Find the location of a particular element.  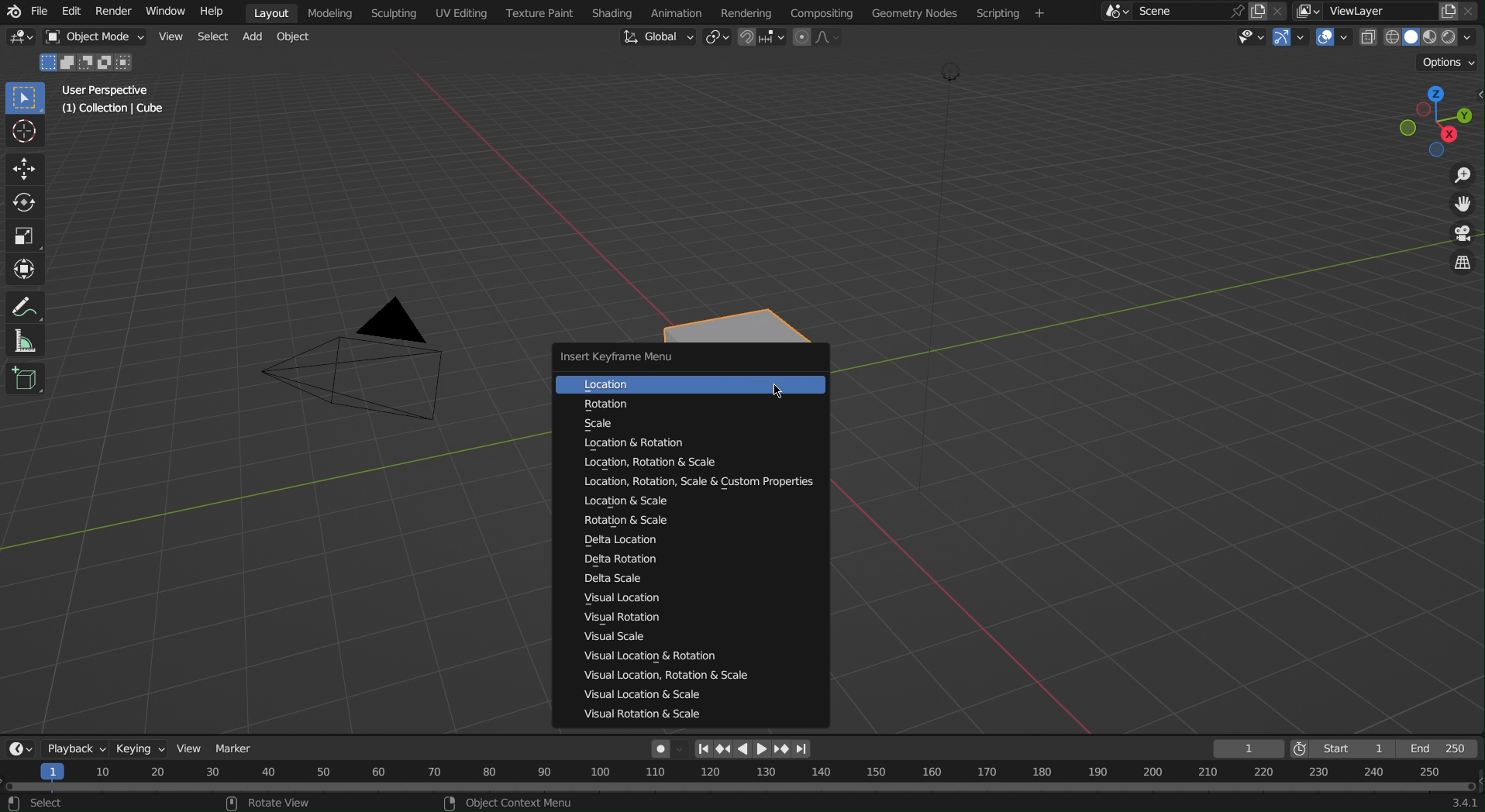

Auto Keying is located at coordinates (658, 748).